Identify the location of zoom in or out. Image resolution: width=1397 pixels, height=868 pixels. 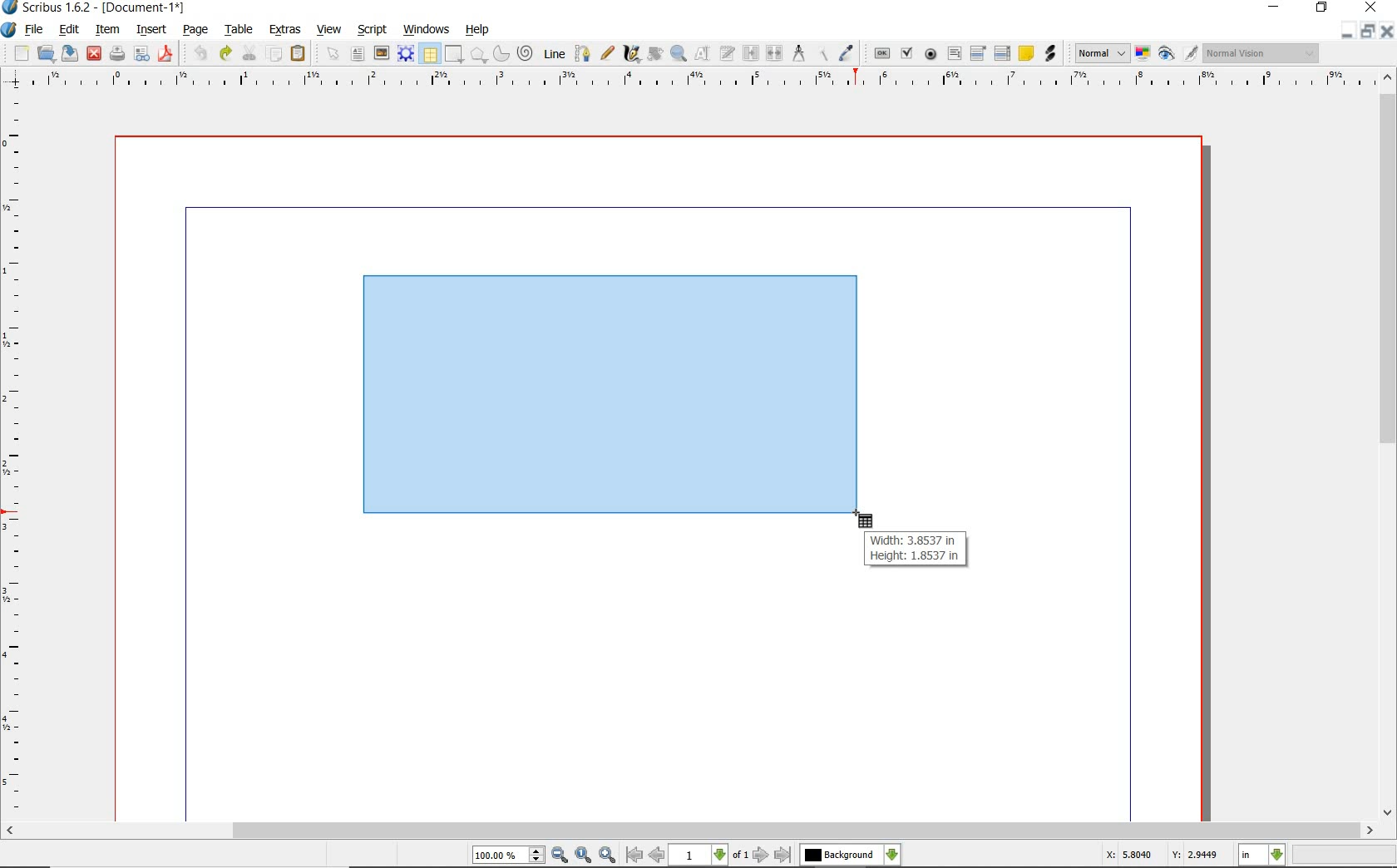
(678, 54).